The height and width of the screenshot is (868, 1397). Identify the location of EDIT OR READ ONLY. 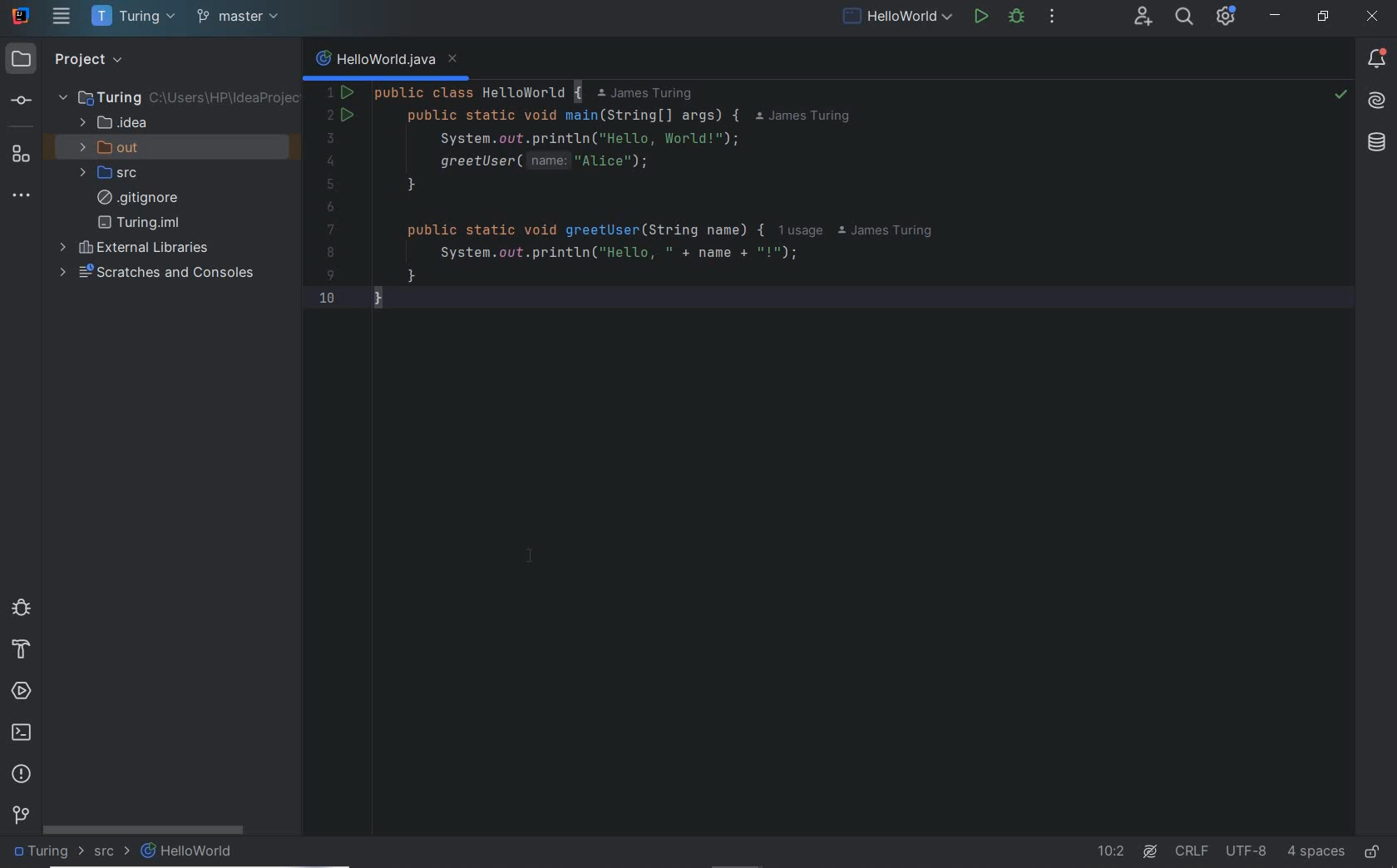
(1374, 844).